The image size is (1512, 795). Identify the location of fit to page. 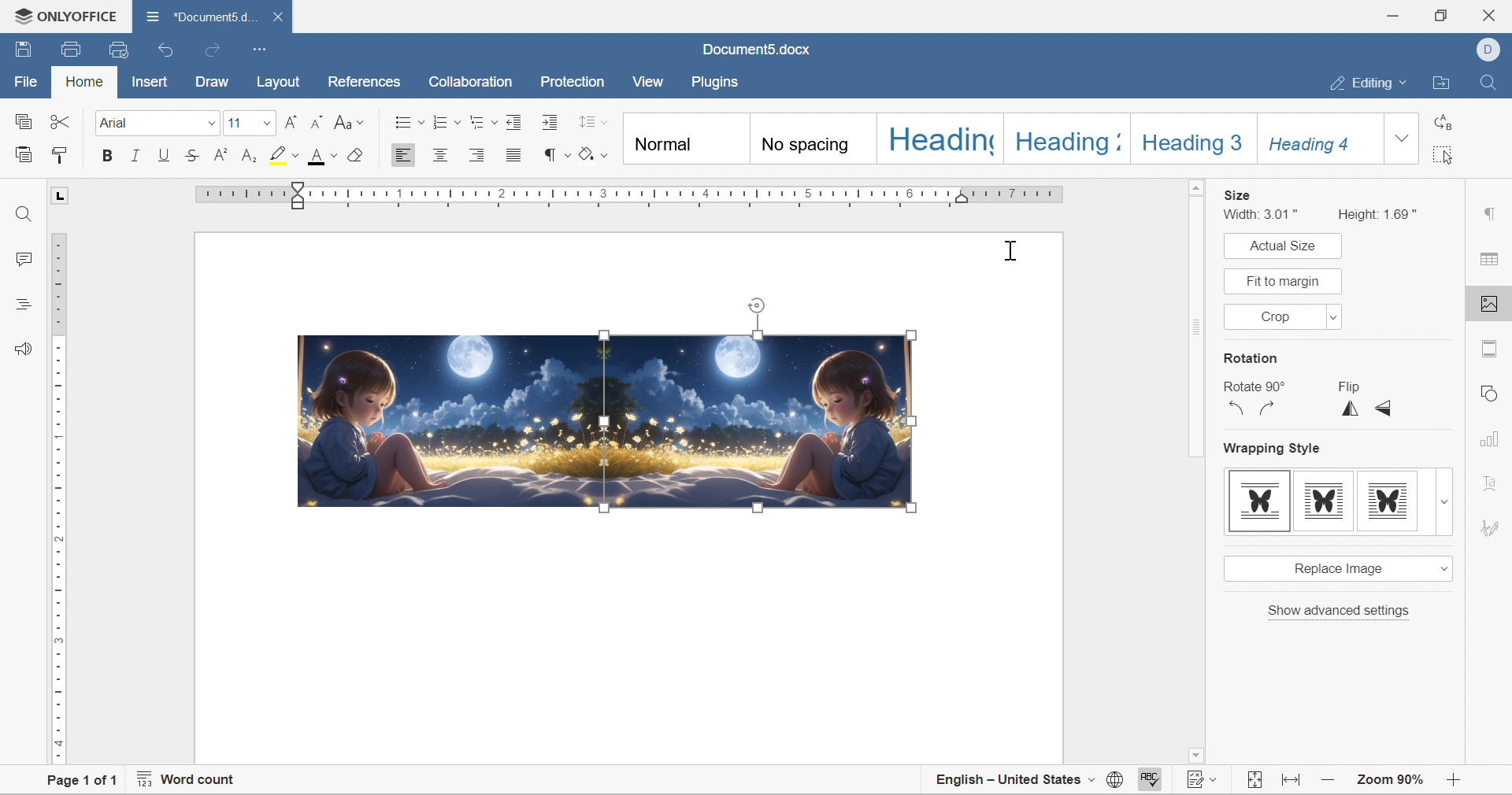
(1255, 780).